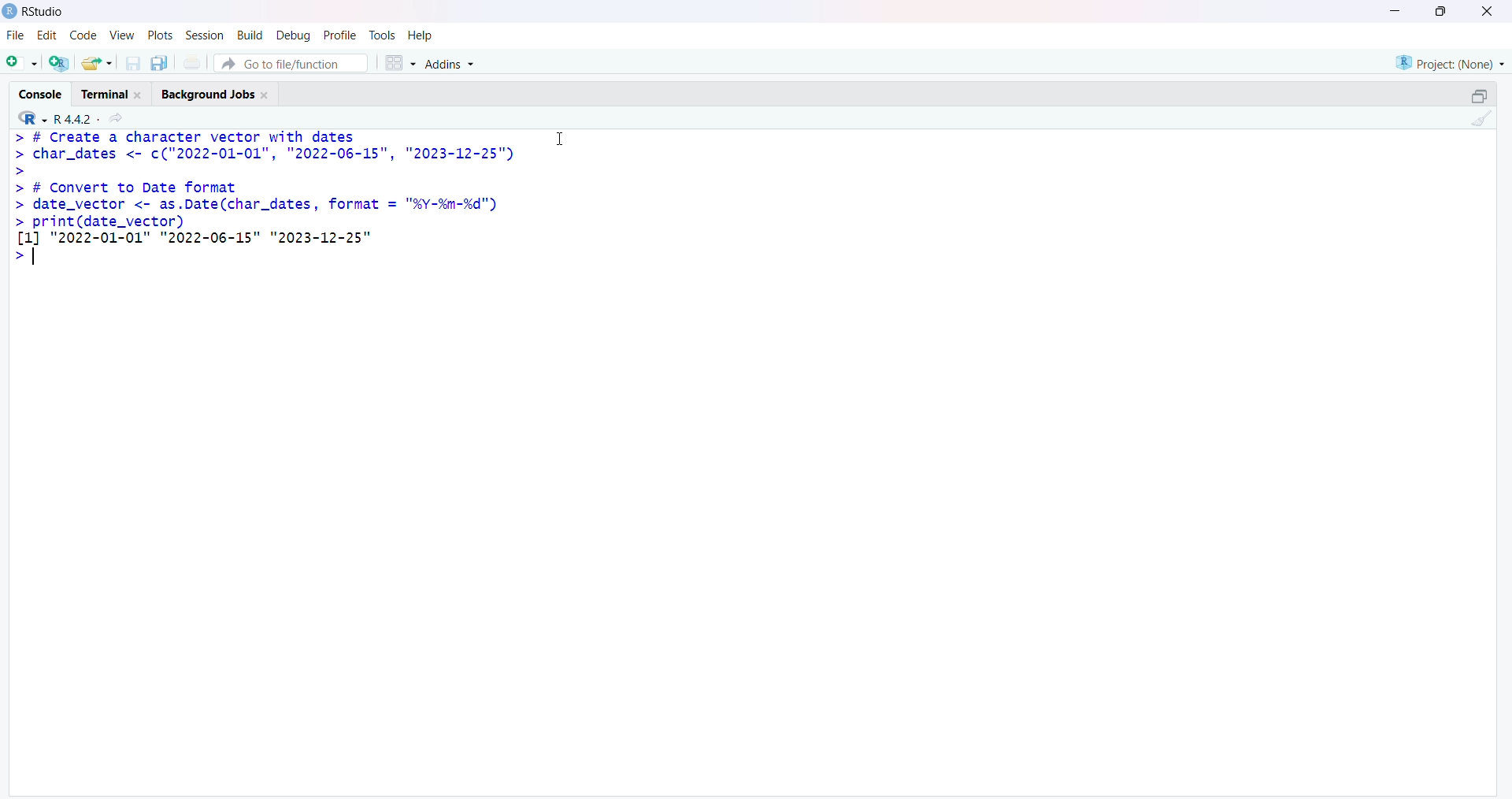  Describe the element at coordinates (295, 61) in the screenshot. I see `Go to file/function` at that location.